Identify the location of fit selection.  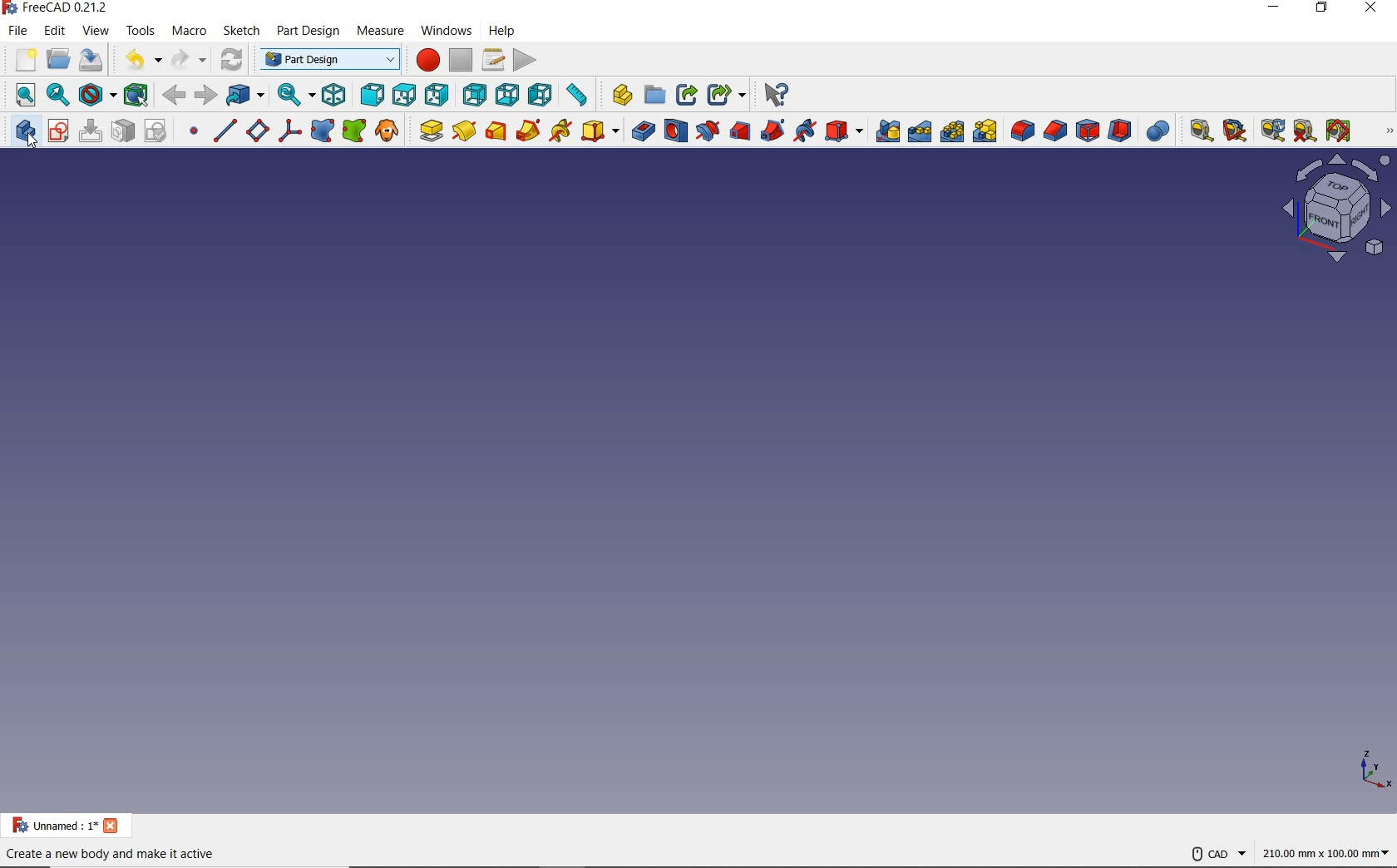
(58, 98).